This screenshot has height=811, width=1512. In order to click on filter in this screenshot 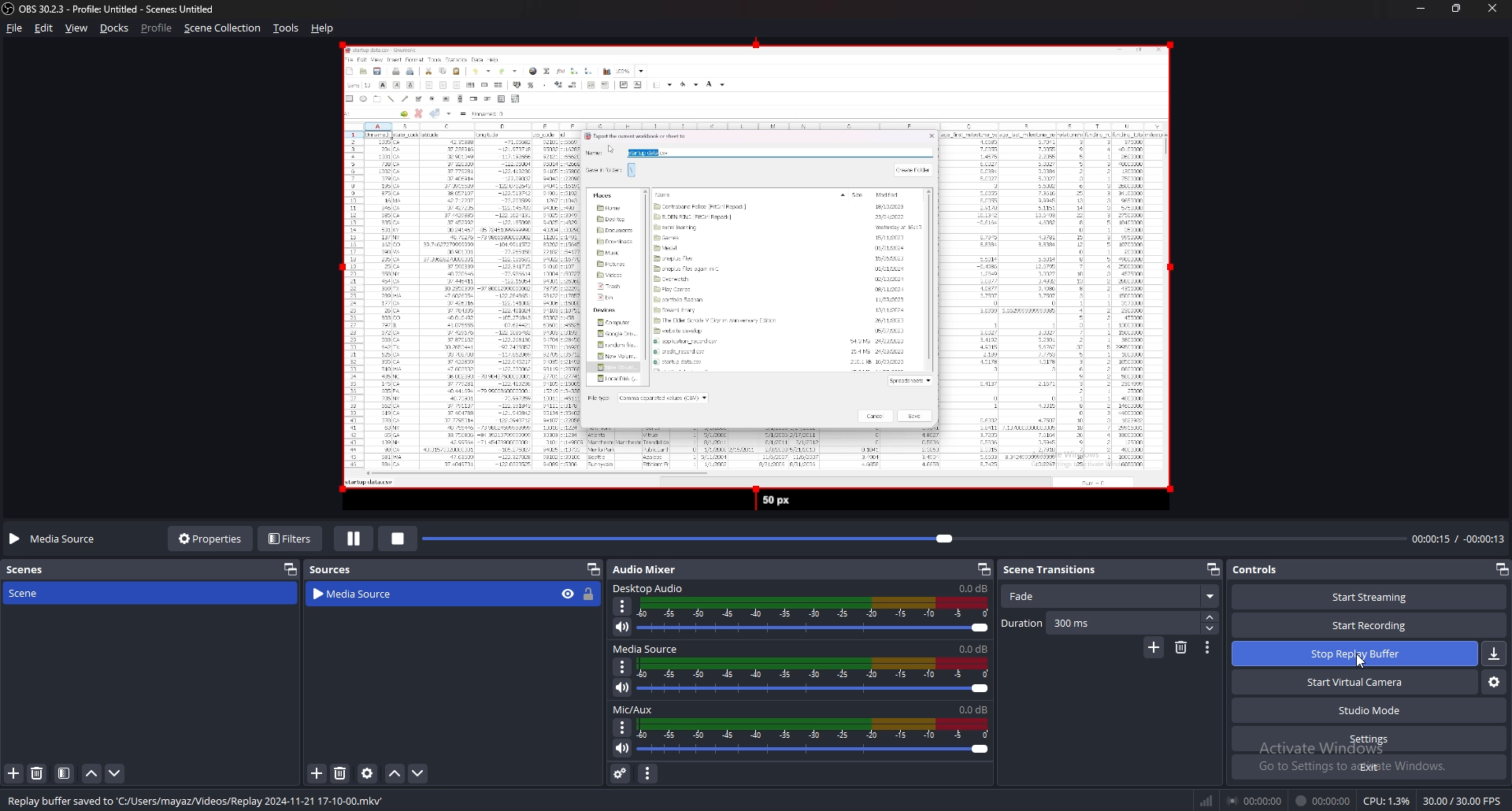, I will do `click(65, 773)`.